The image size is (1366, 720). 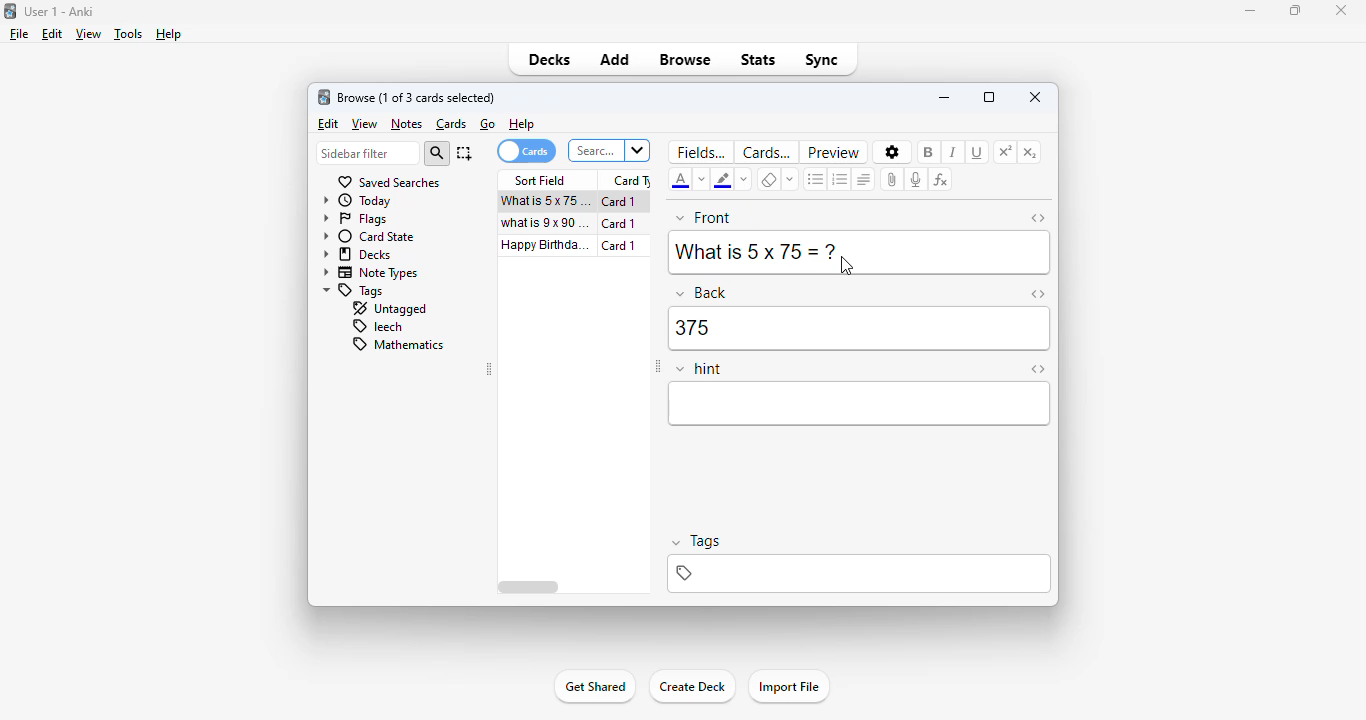 What do you see at coordinates (859, 329) in the screenshot?
I see `375` at bounding box center [859, 329].